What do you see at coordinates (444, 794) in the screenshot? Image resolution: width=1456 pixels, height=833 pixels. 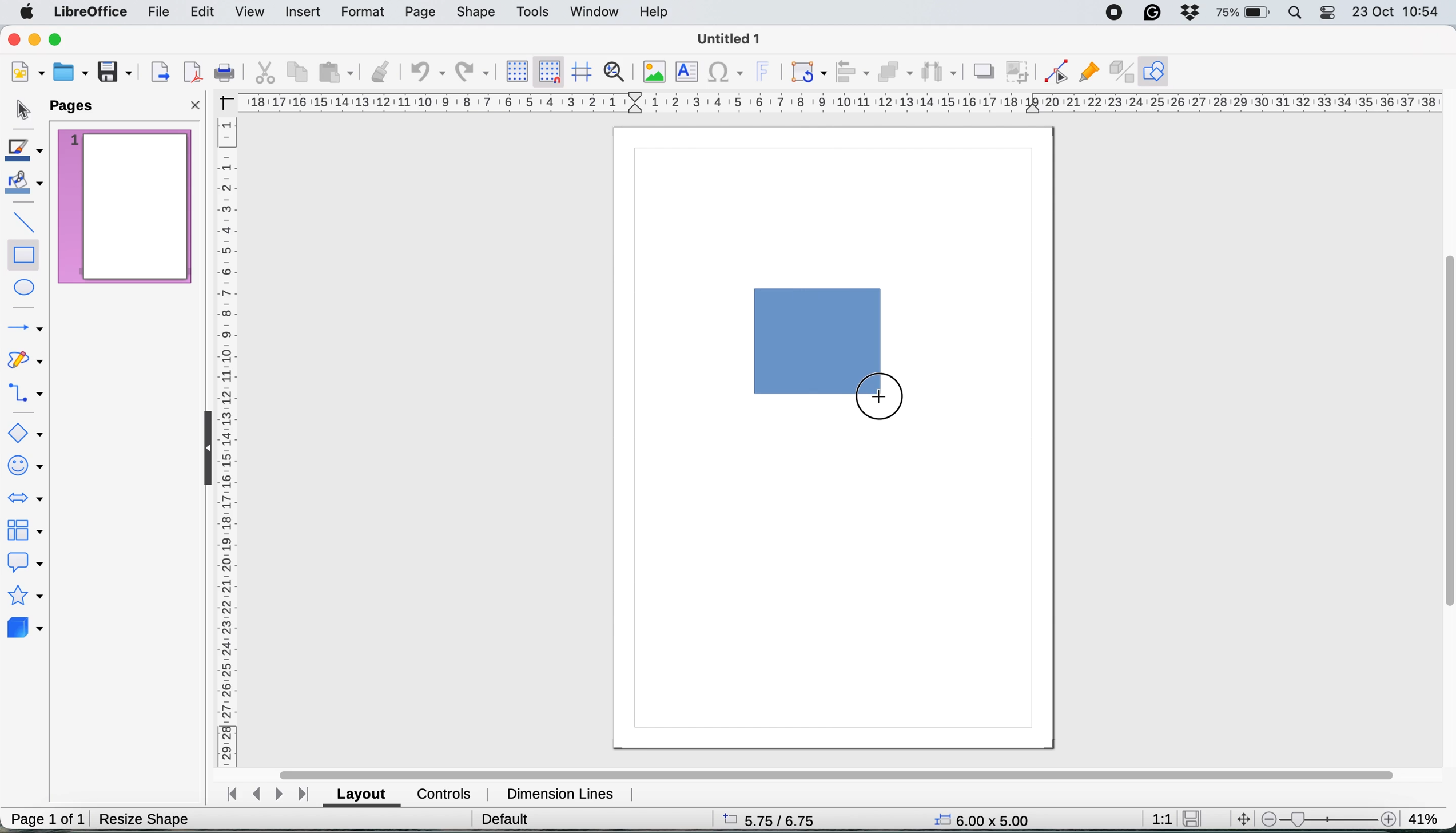 I see `controls` at bounding box center [444, 794].